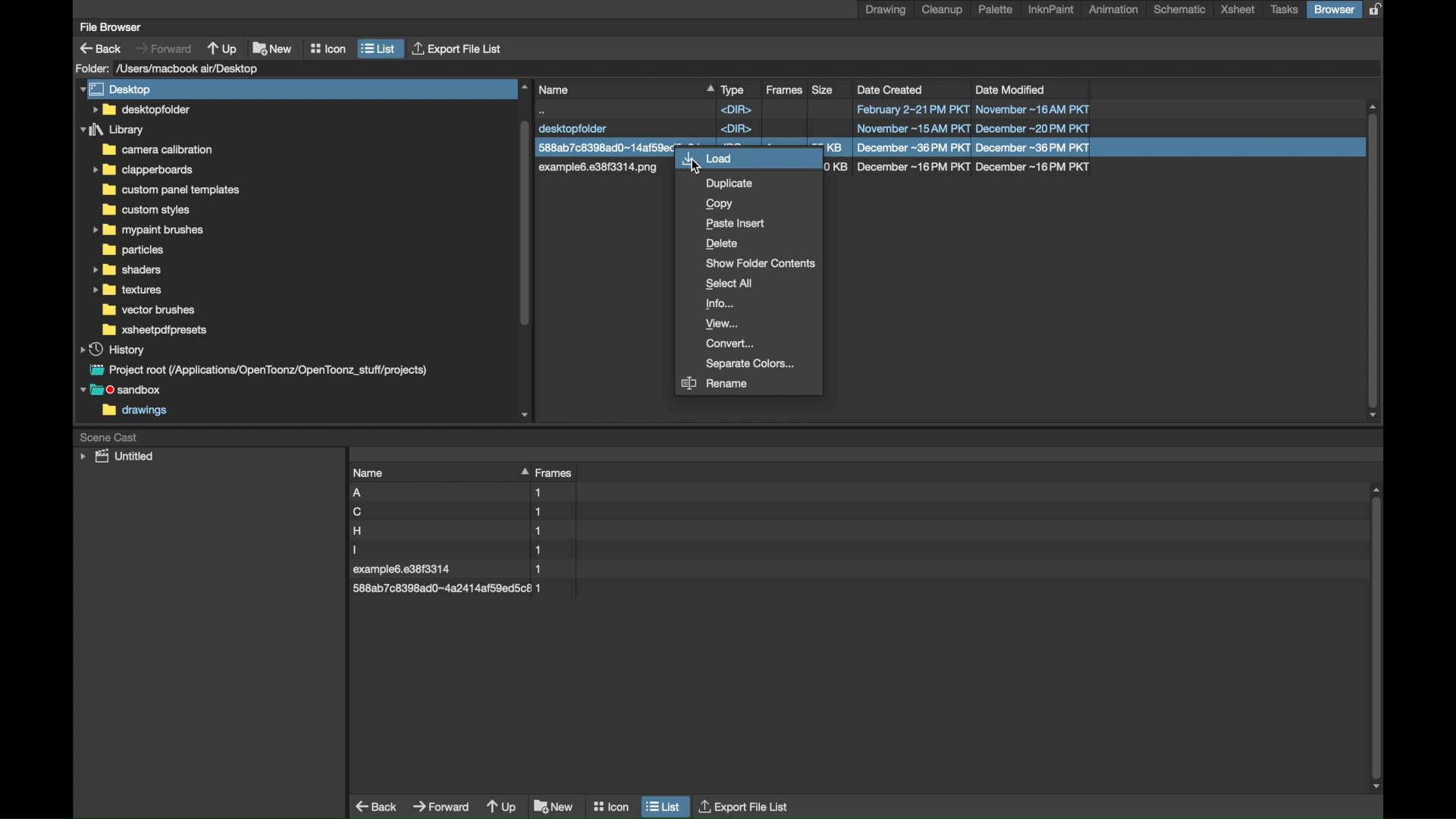  What do you see at coordinates (151, 310) in the screenshot?
I see `folder` at bounding box center [151, 310].